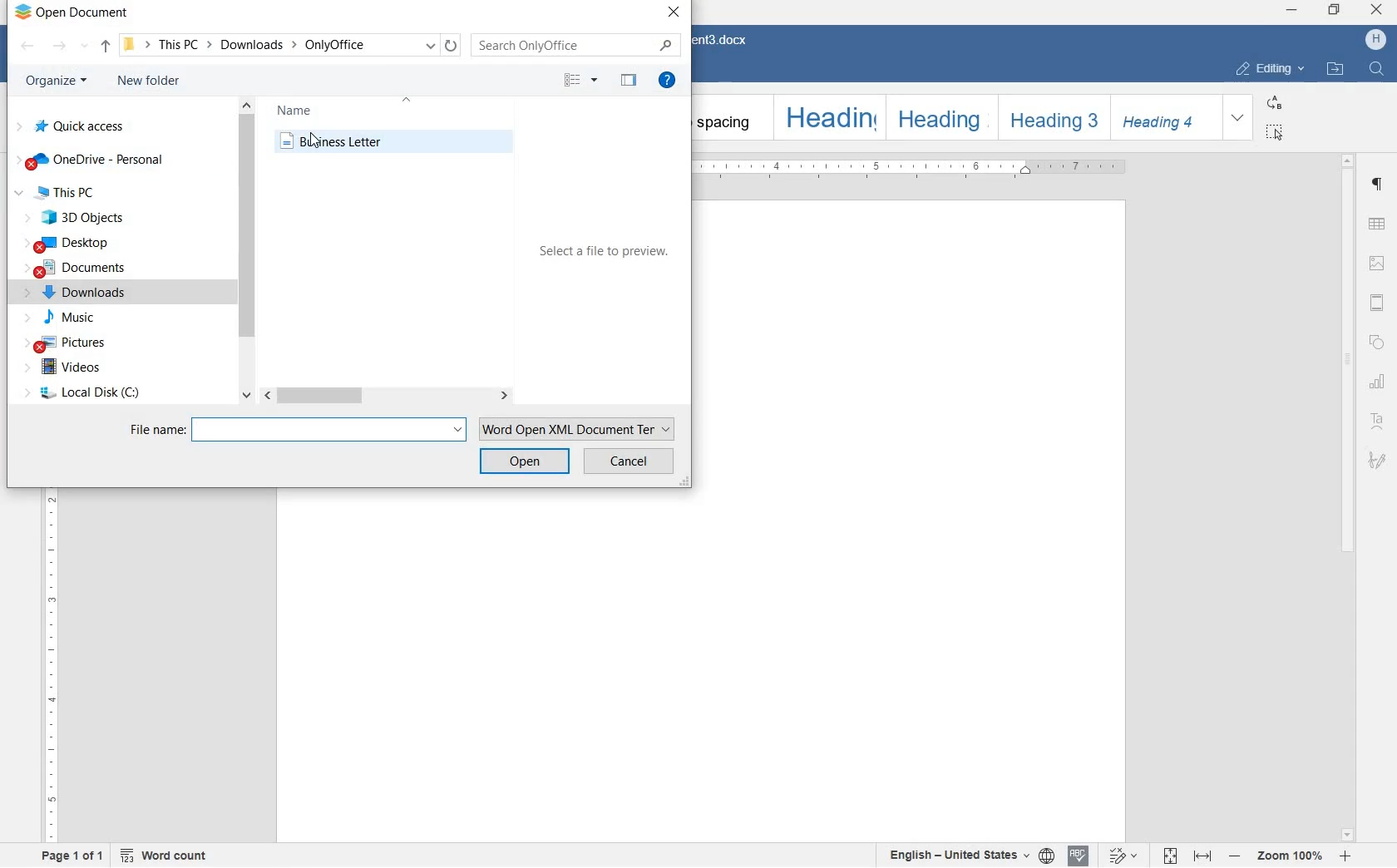  What do you see at coordinates (1274, 101) in the screenshot?
I see `replace` at bounding box center [1274, 101].